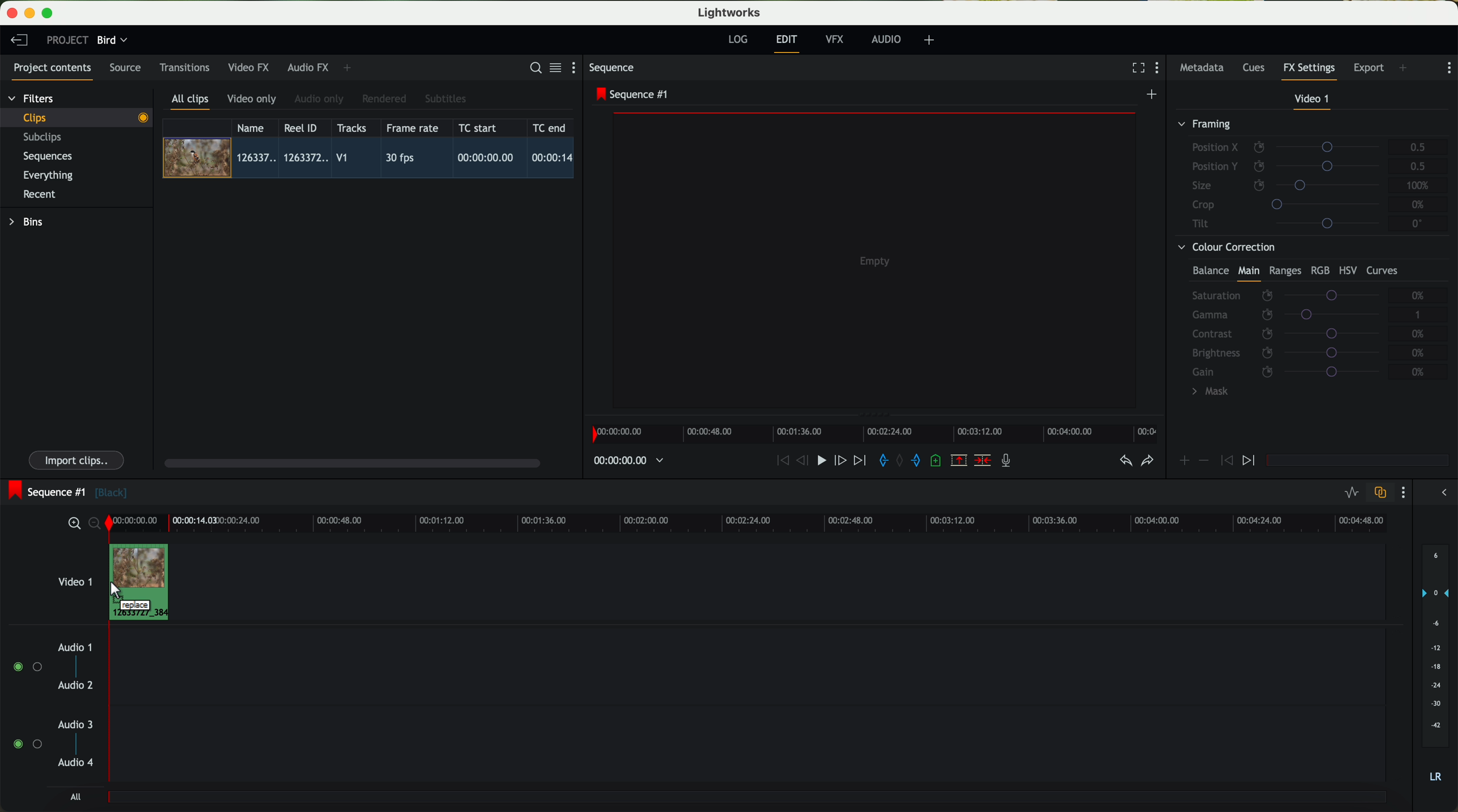  I want to click on 0%, so click(1418, 295).